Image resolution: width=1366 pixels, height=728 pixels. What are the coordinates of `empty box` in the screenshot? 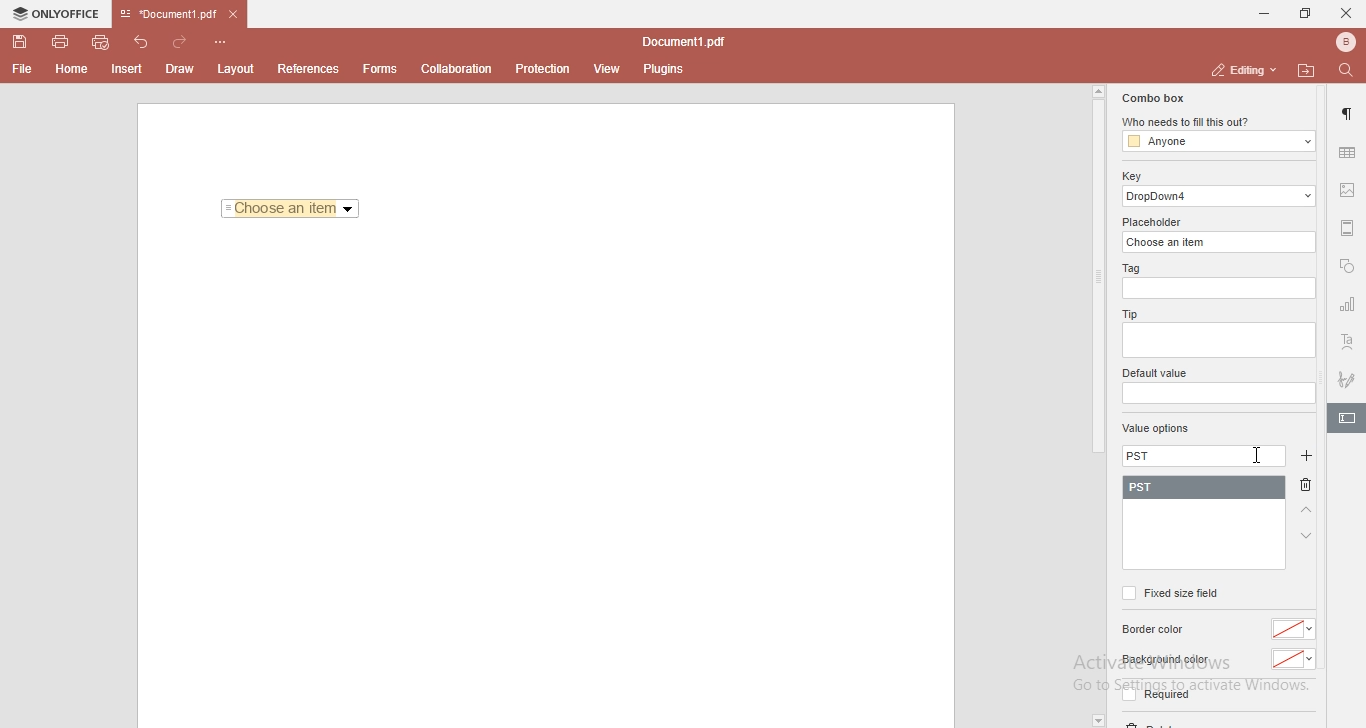 It's located at (1217, 394).